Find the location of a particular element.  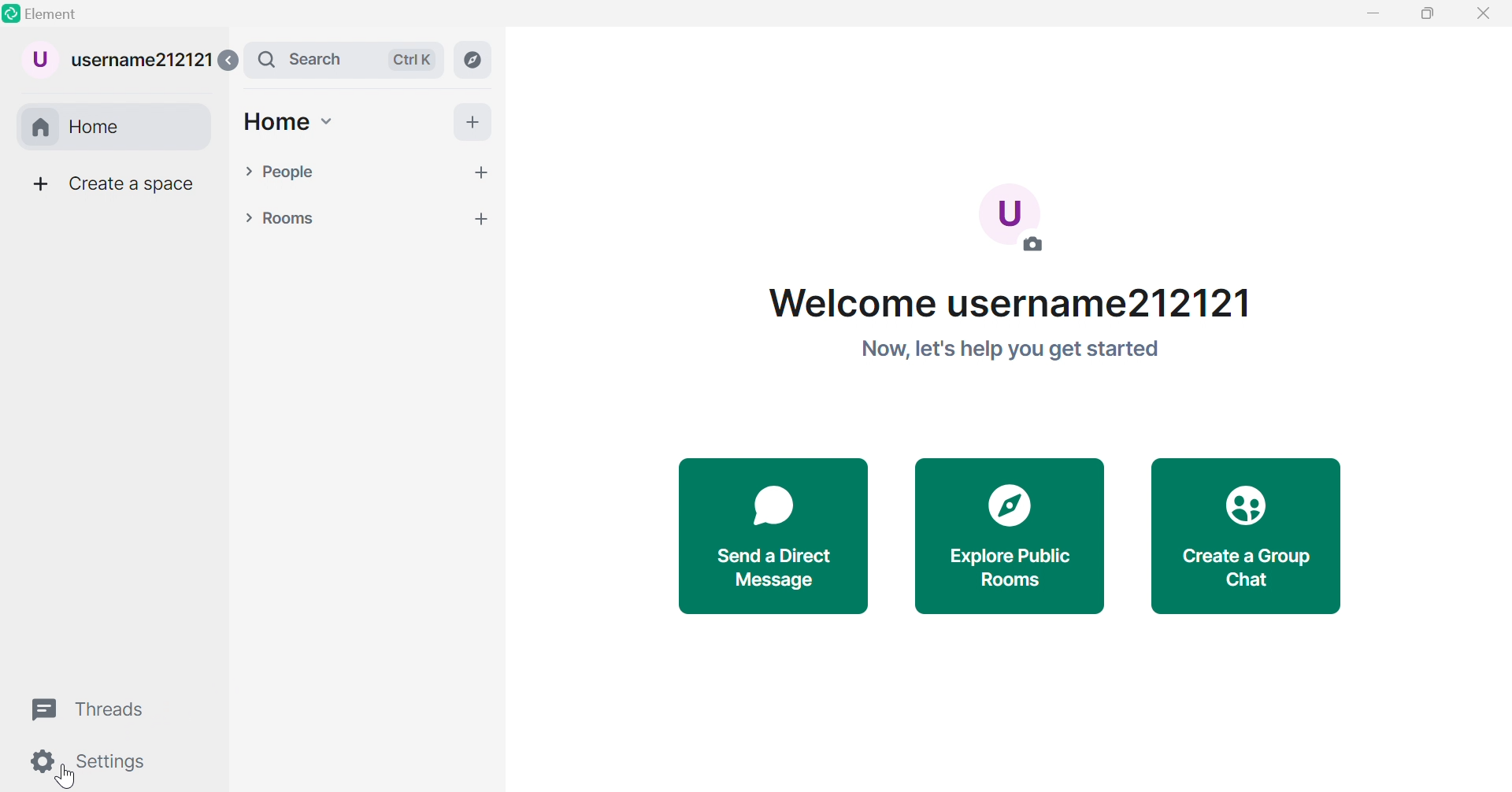

Create a Group Chat is located at coordinates (1251, 569).